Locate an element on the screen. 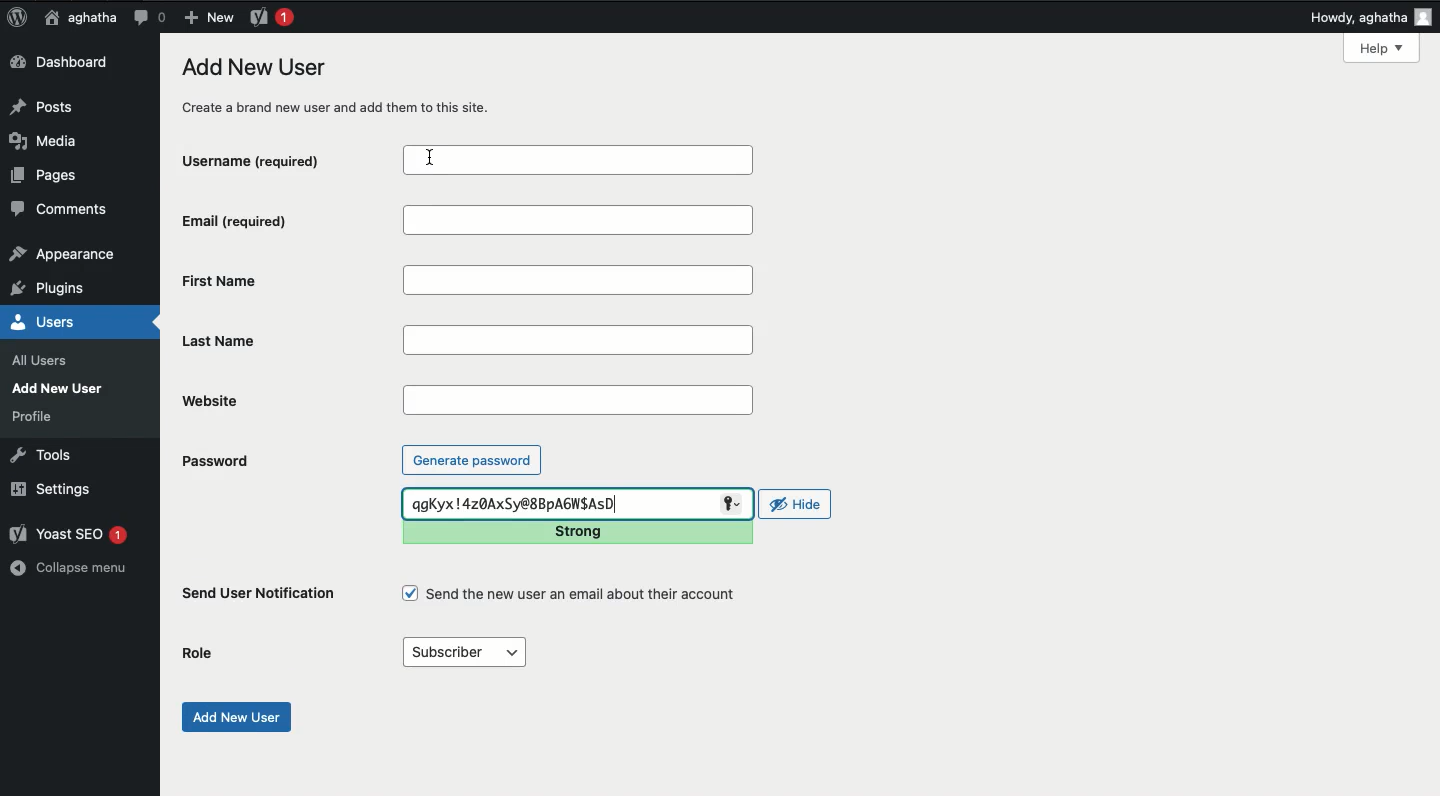  Howdy, aghatha is located at coordinates (1371, 17).